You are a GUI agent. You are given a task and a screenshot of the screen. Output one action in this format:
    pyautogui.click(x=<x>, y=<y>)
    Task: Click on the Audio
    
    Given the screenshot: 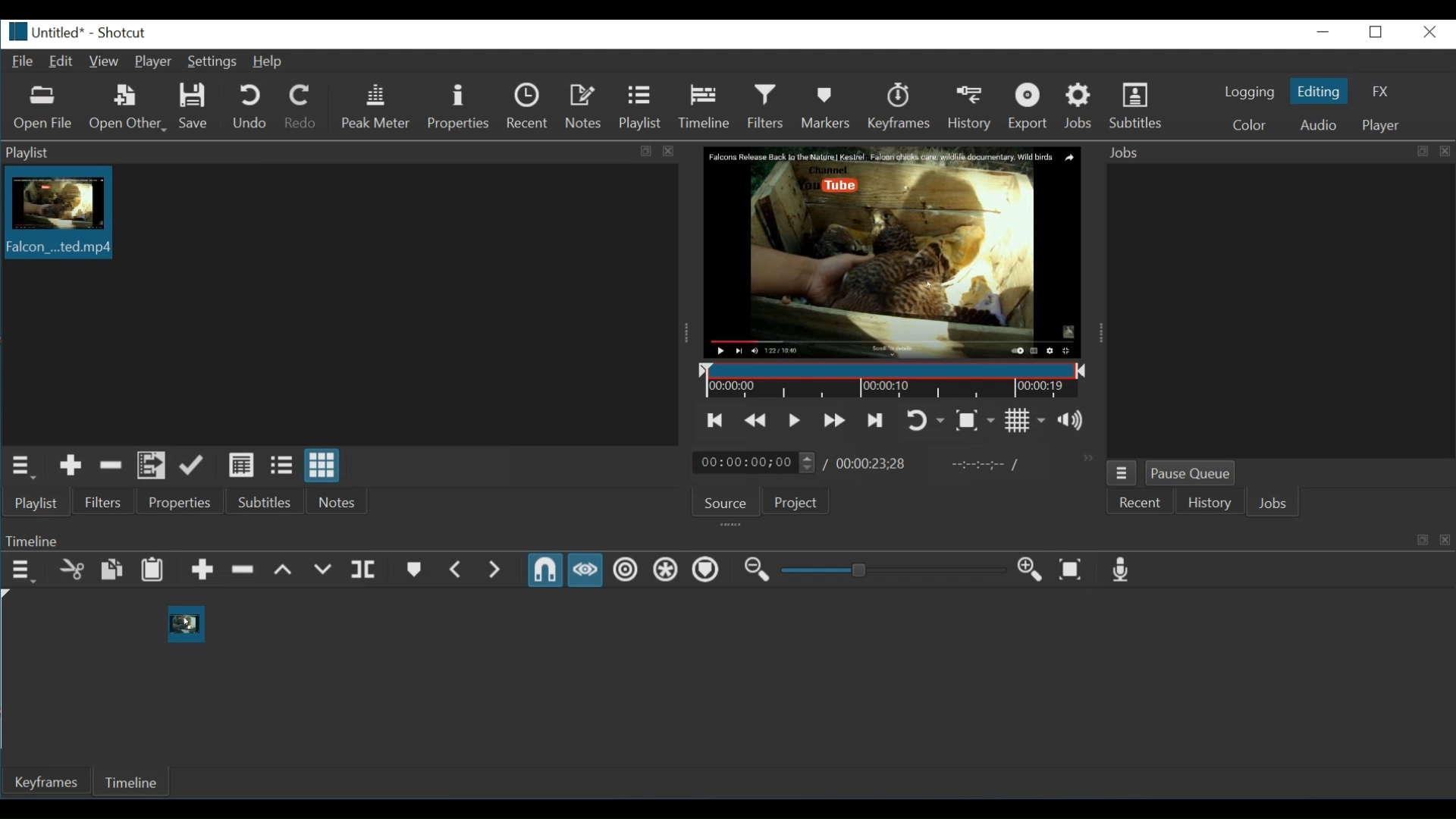 What is the action you would take?
    pyautogui.click(x=1317, y=124)
    